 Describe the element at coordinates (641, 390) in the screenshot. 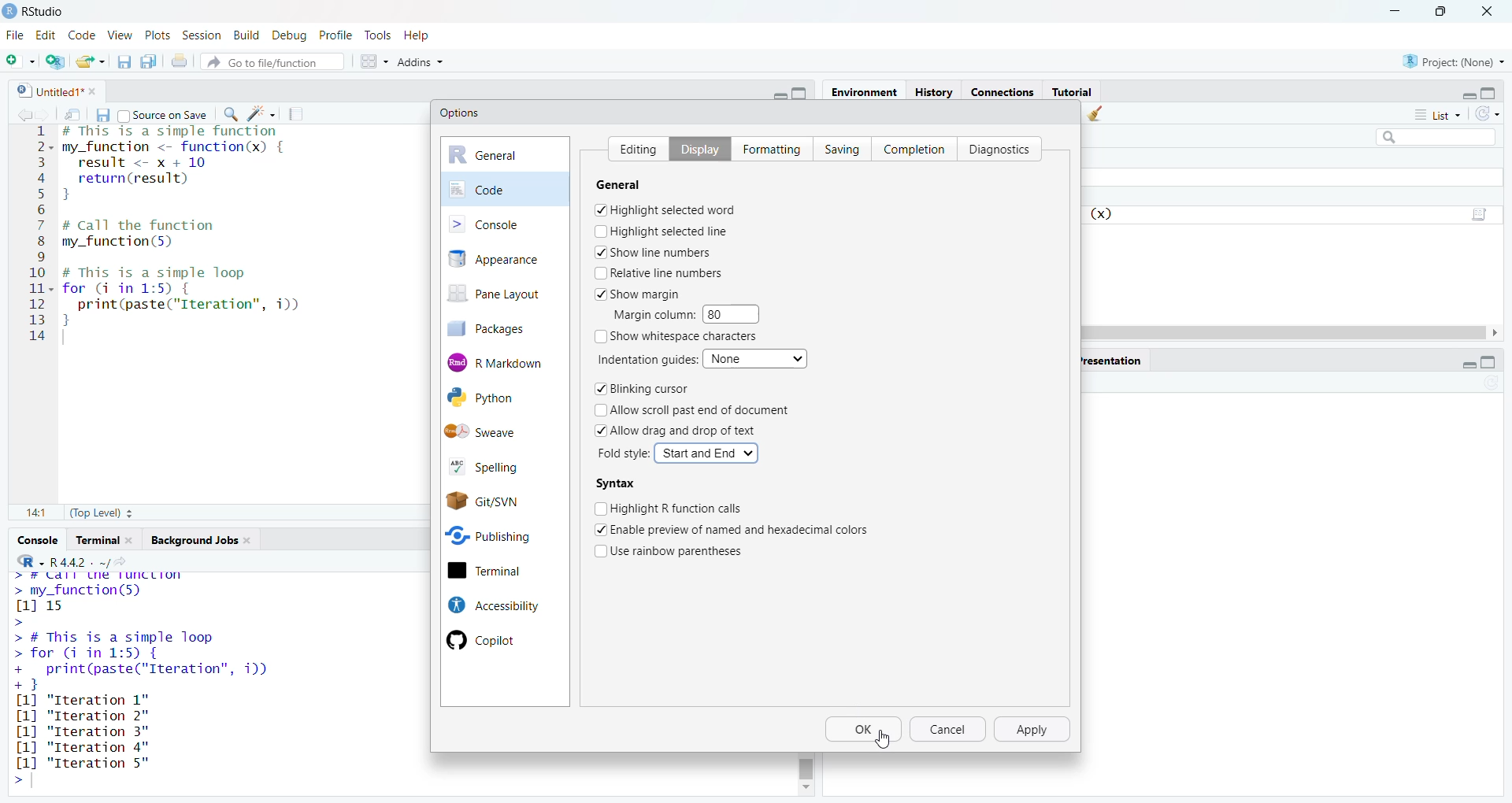

I see `blinking cursor` at that location.